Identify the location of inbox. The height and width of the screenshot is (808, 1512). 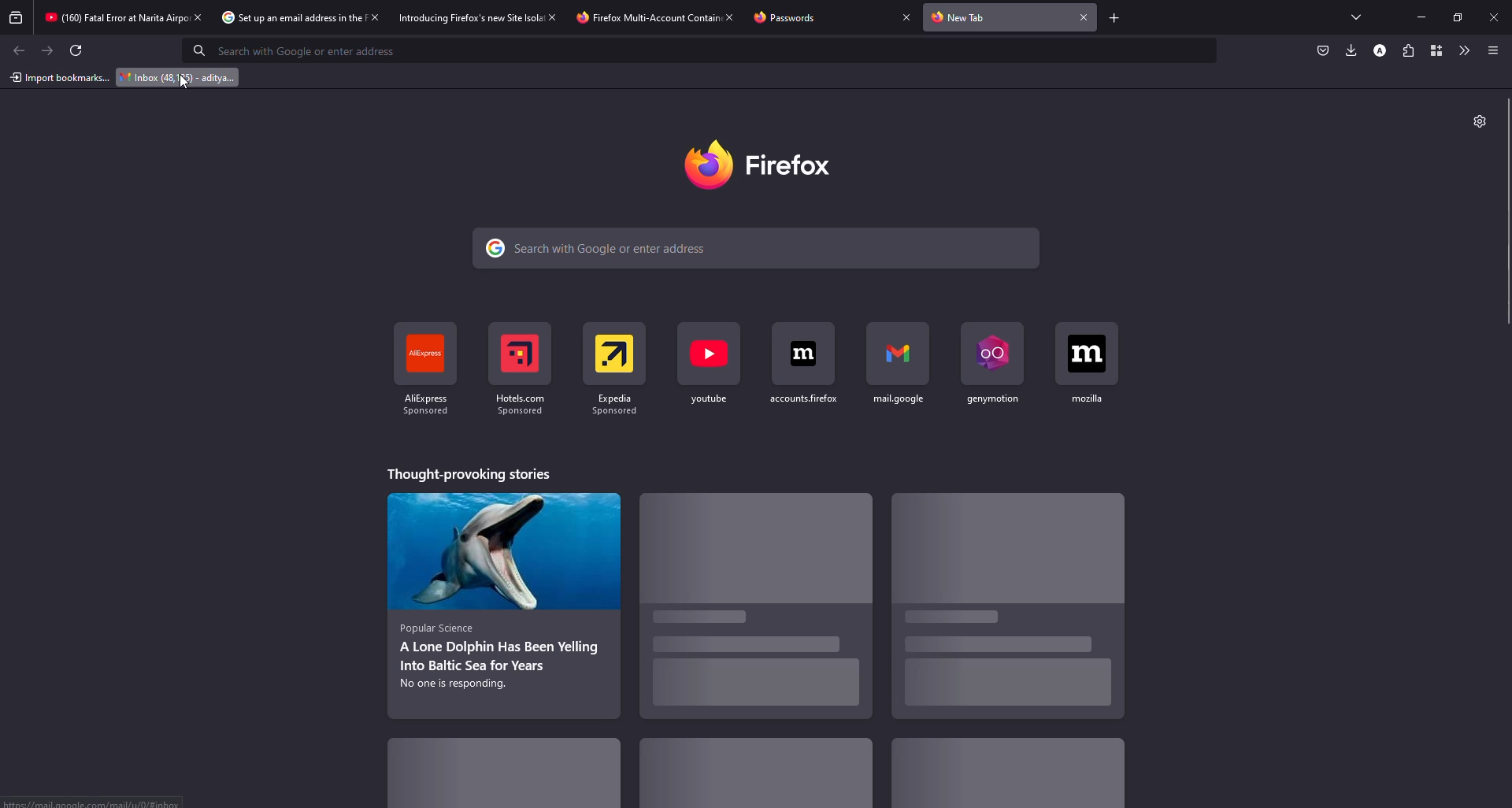
(175, 78).